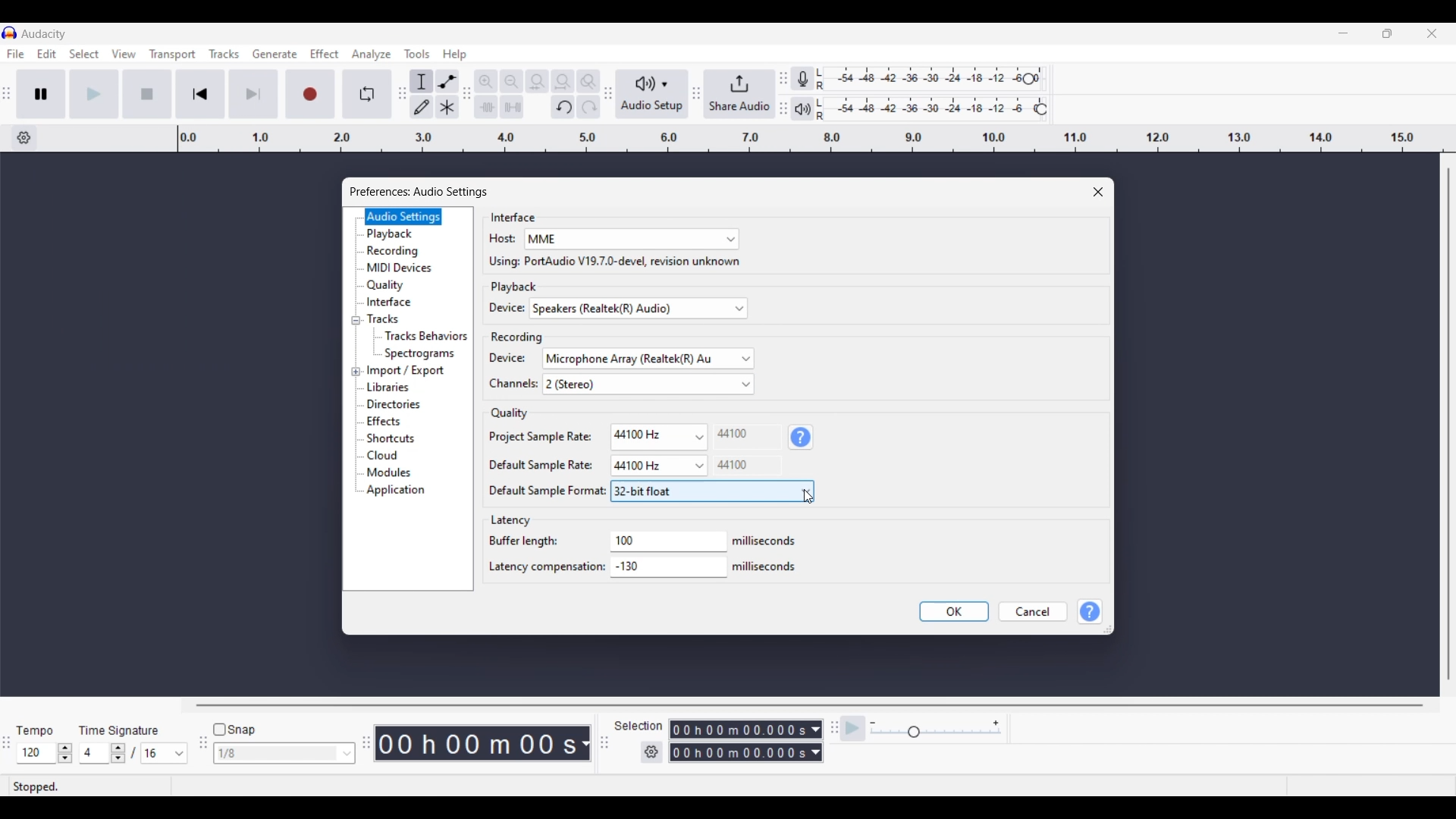 The height and width of the screenshot is (819, 1456). Describe the element at coordinates (814, 742) in the screenshot. I see `Metric options to record duration` at that location.